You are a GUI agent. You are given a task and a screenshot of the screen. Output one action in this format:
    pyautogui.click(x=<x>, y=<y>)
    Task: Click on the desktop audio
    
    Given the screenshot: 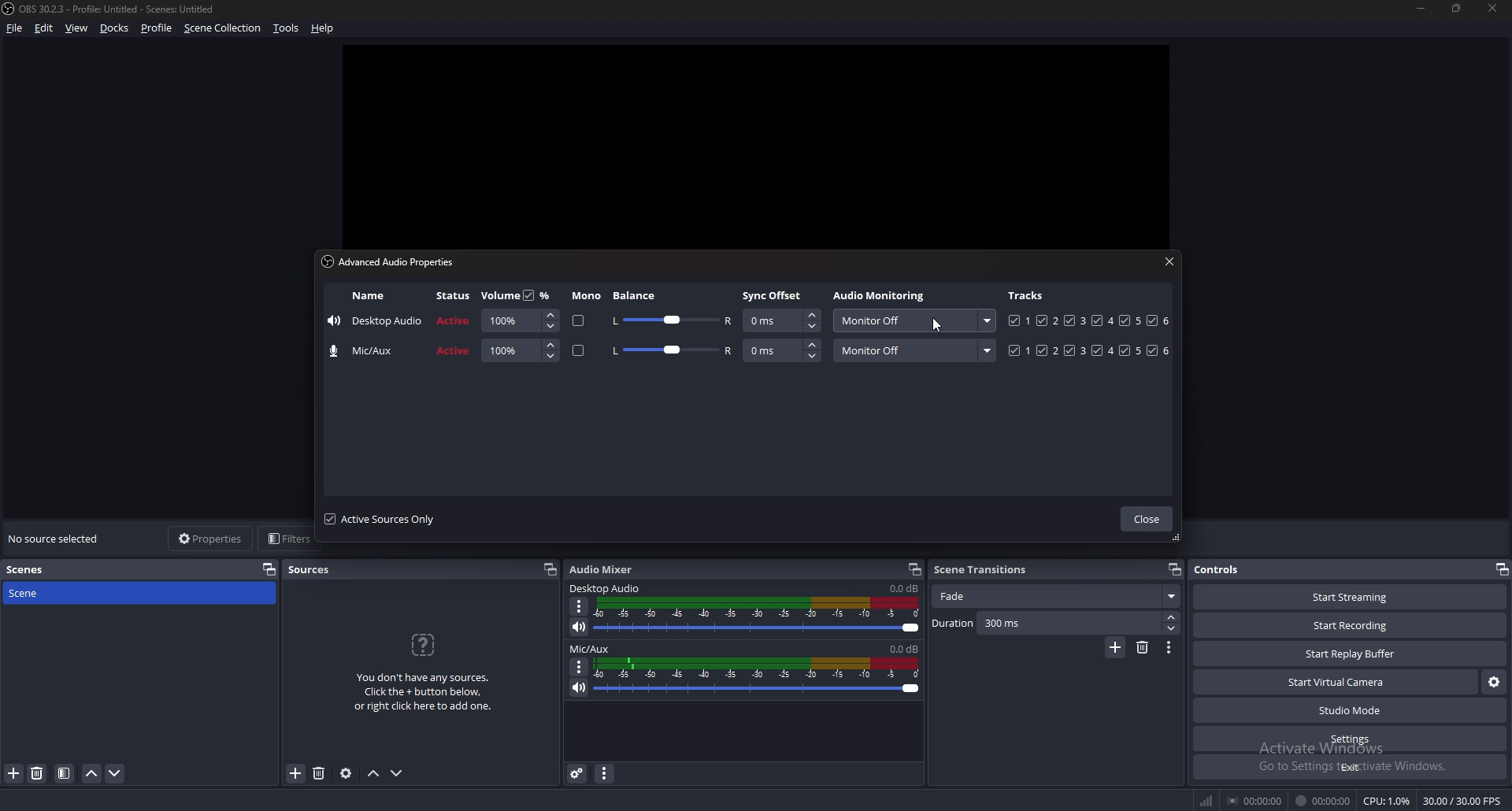 What is the action you would take?
    pyautogui.click(x=606, y=589)
    